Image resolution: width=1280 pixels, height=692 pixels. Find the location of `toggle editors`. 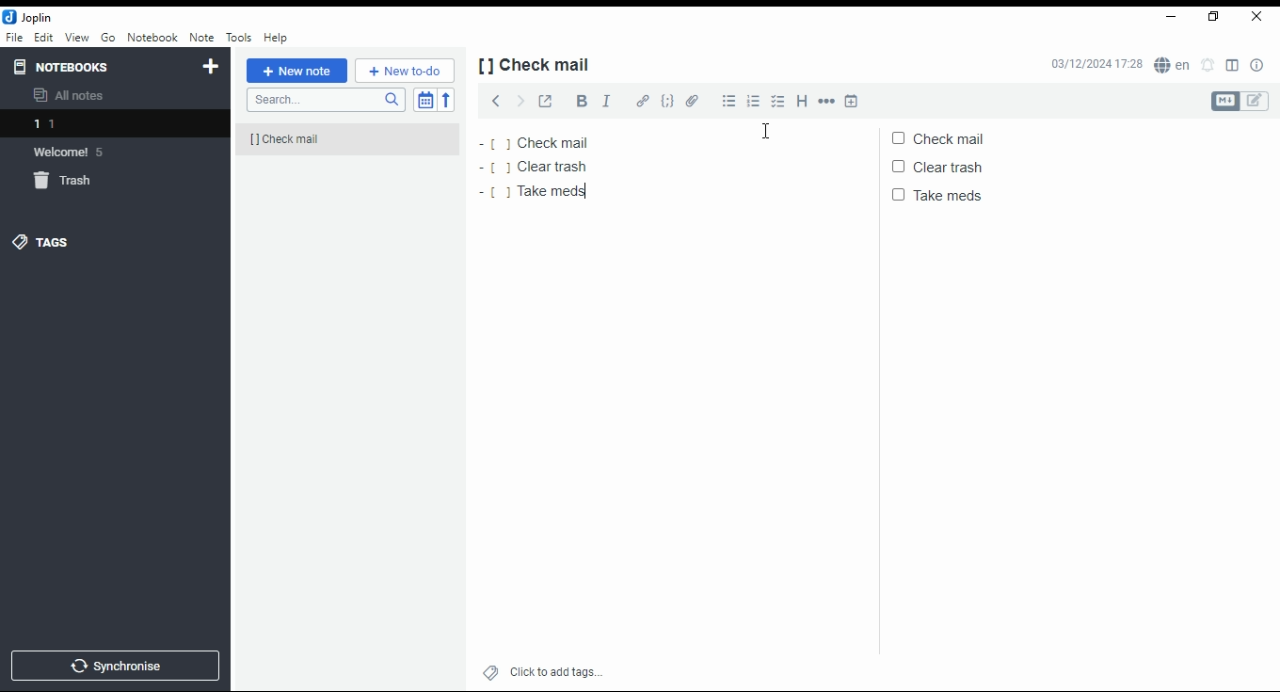

toggle editors is located at coordinates (1239, 102).